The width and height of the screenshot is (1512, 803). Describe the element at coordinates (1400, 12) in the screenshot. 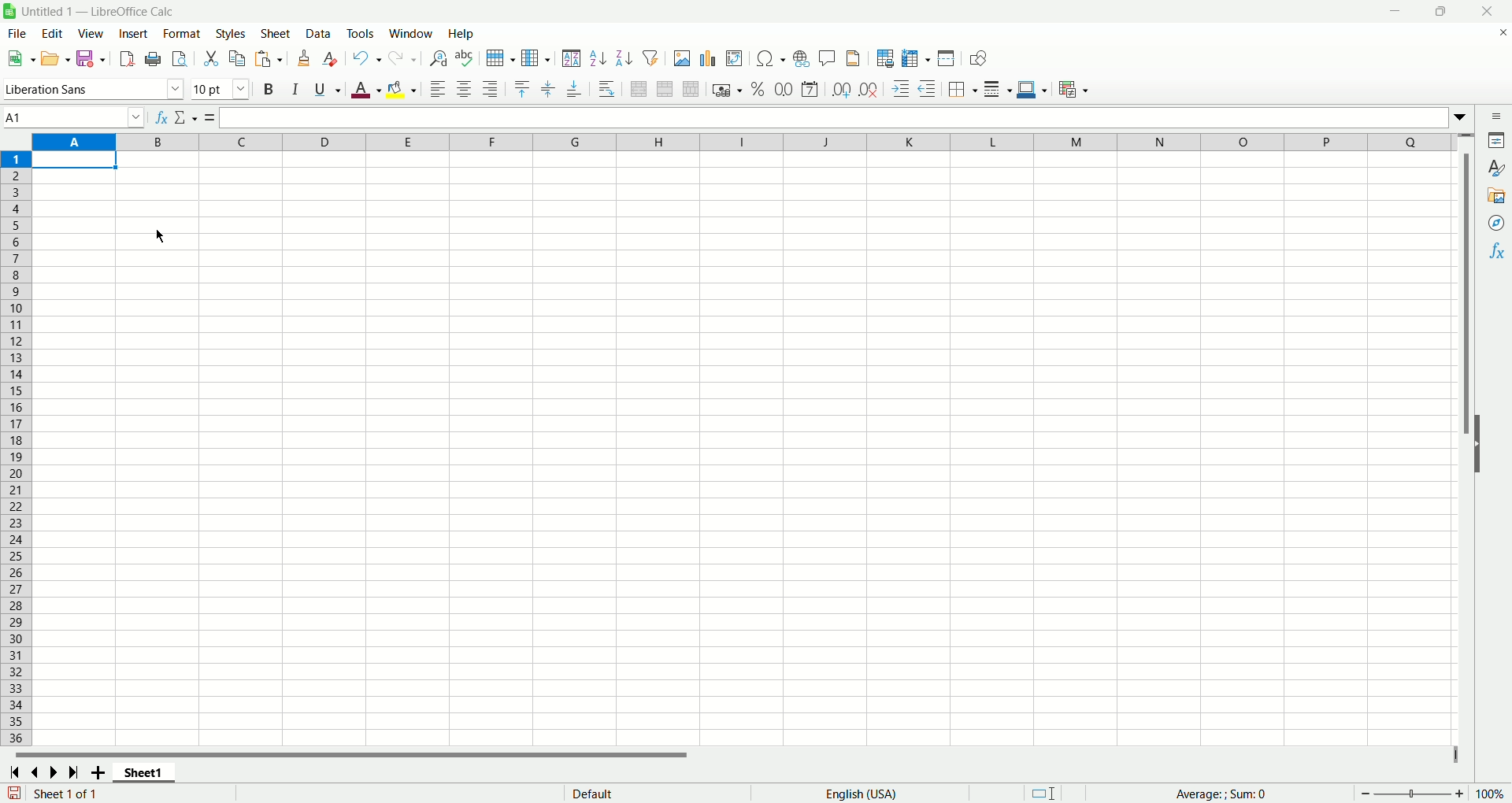

I see `minimize` at that location.